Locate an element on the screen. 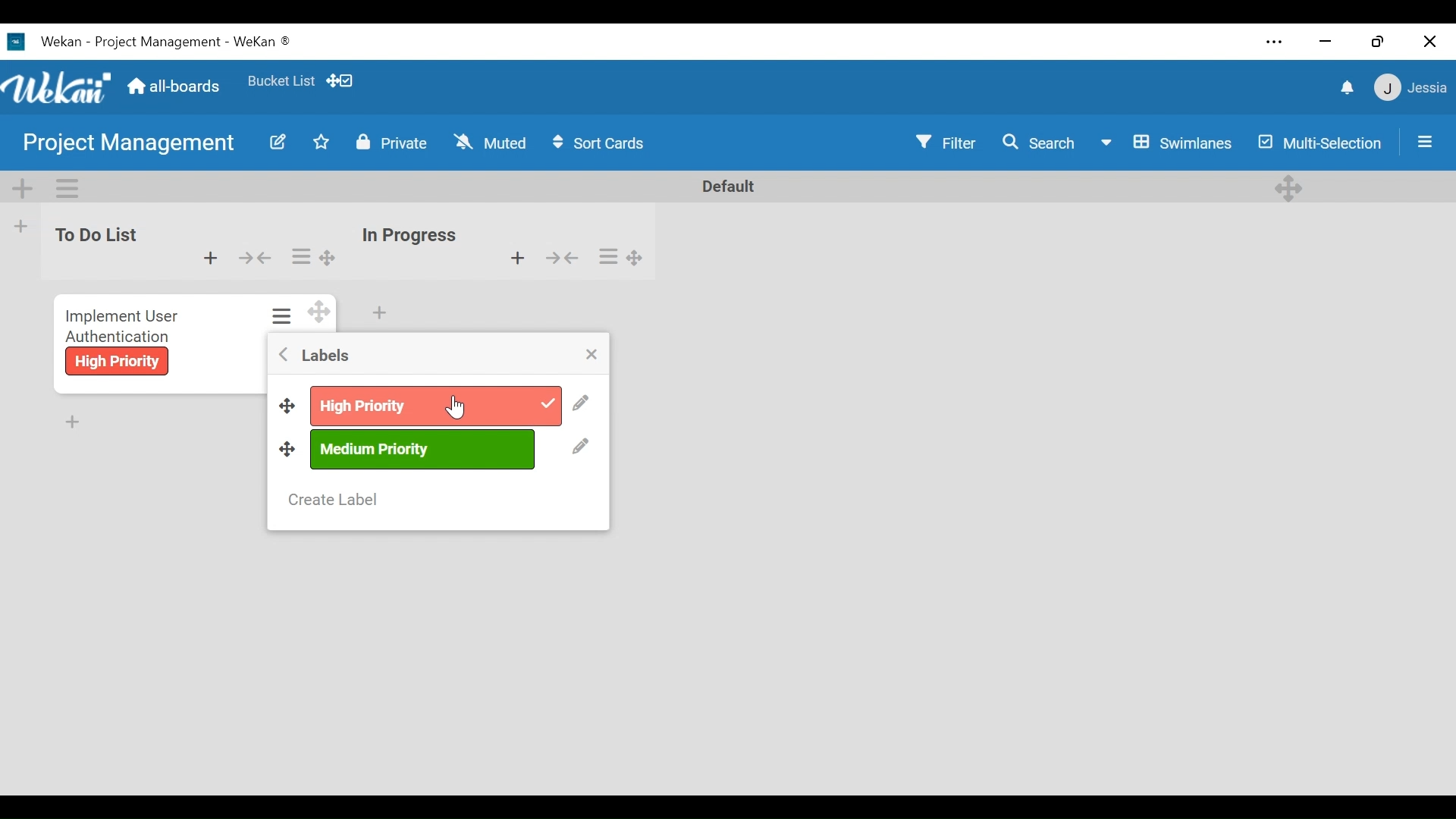  swimlane actions is located at coordinates (68, 187).